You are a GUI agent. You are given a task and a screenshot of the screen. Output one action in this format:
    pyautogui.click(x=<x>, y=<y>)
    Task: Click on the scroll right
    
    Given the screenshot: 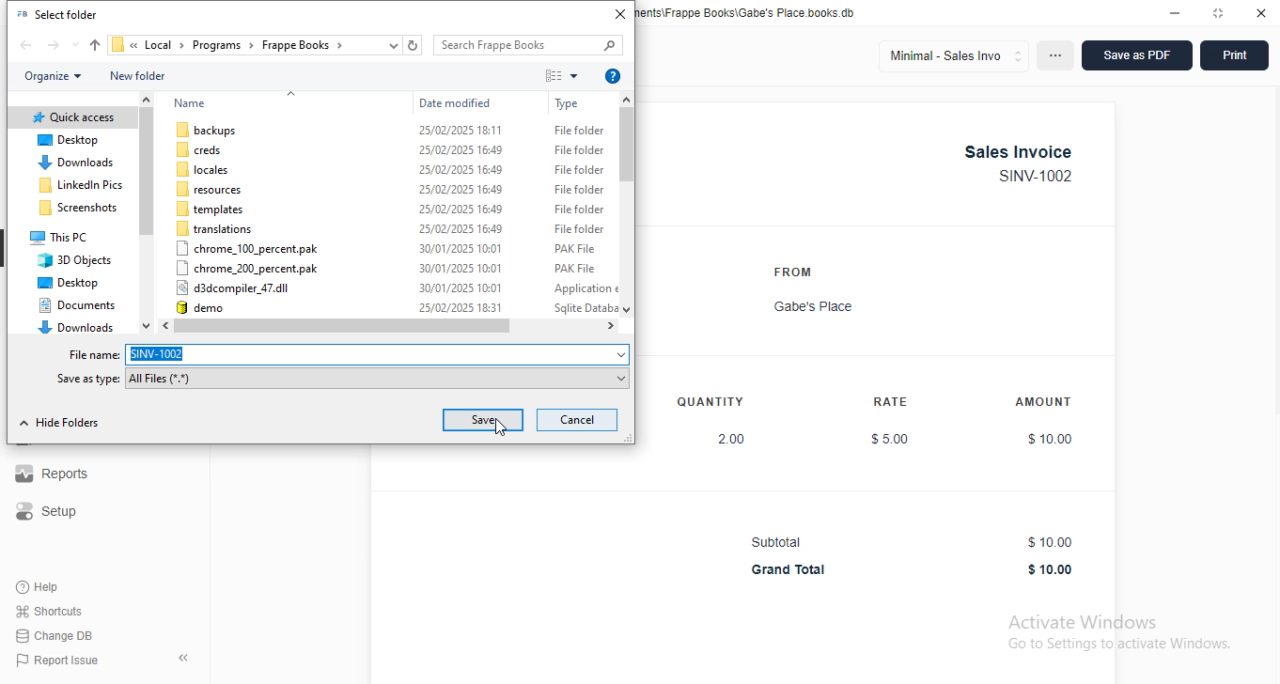 What is the action you would take?
    pyautogui.click(x=609, y=325)
    